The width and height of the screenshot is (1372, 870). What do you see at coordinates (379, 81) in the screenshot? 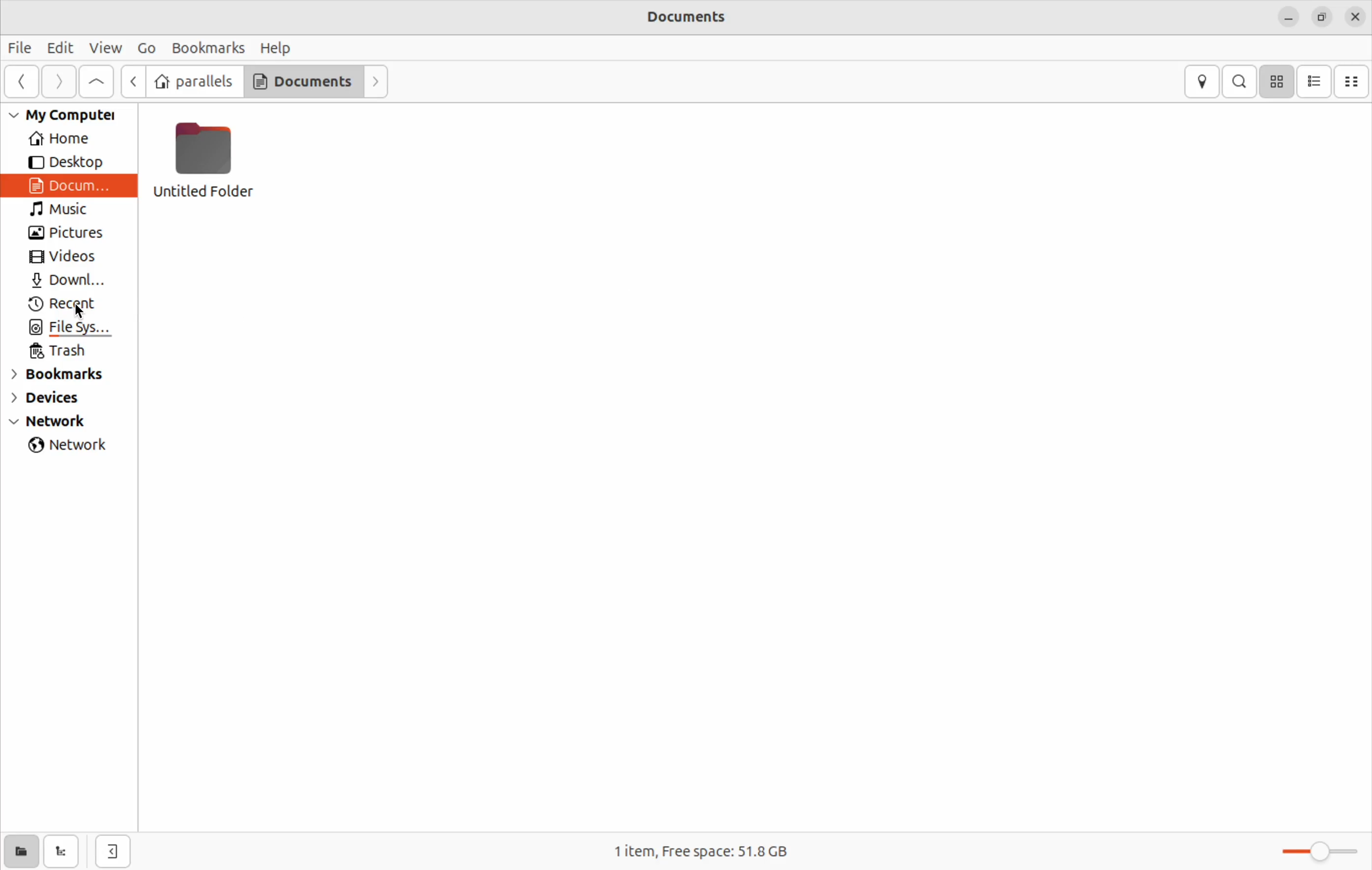
I see `next` at bounding box center [379, 81].